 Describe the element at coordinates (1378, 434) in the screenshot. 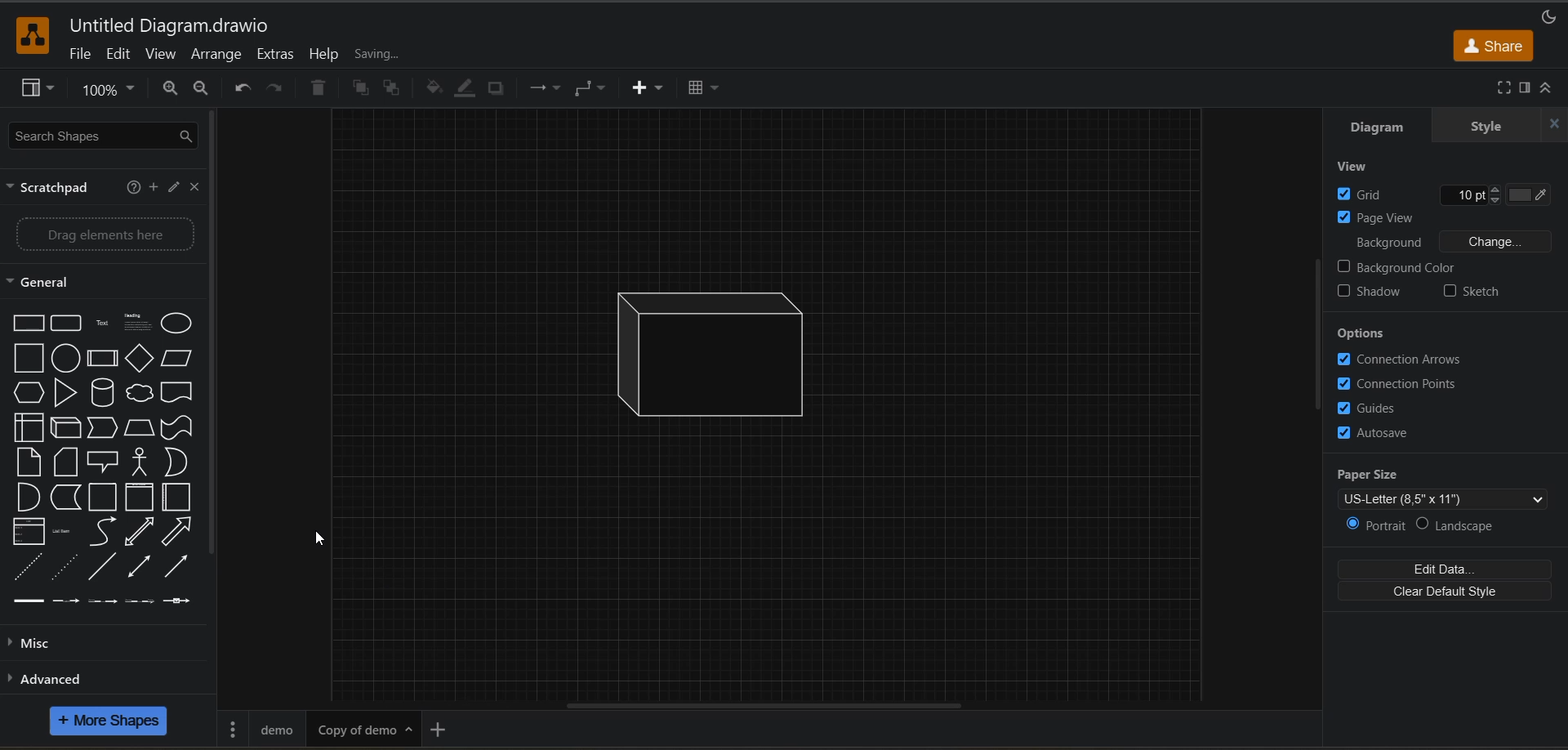

I see `autosave` at that location.